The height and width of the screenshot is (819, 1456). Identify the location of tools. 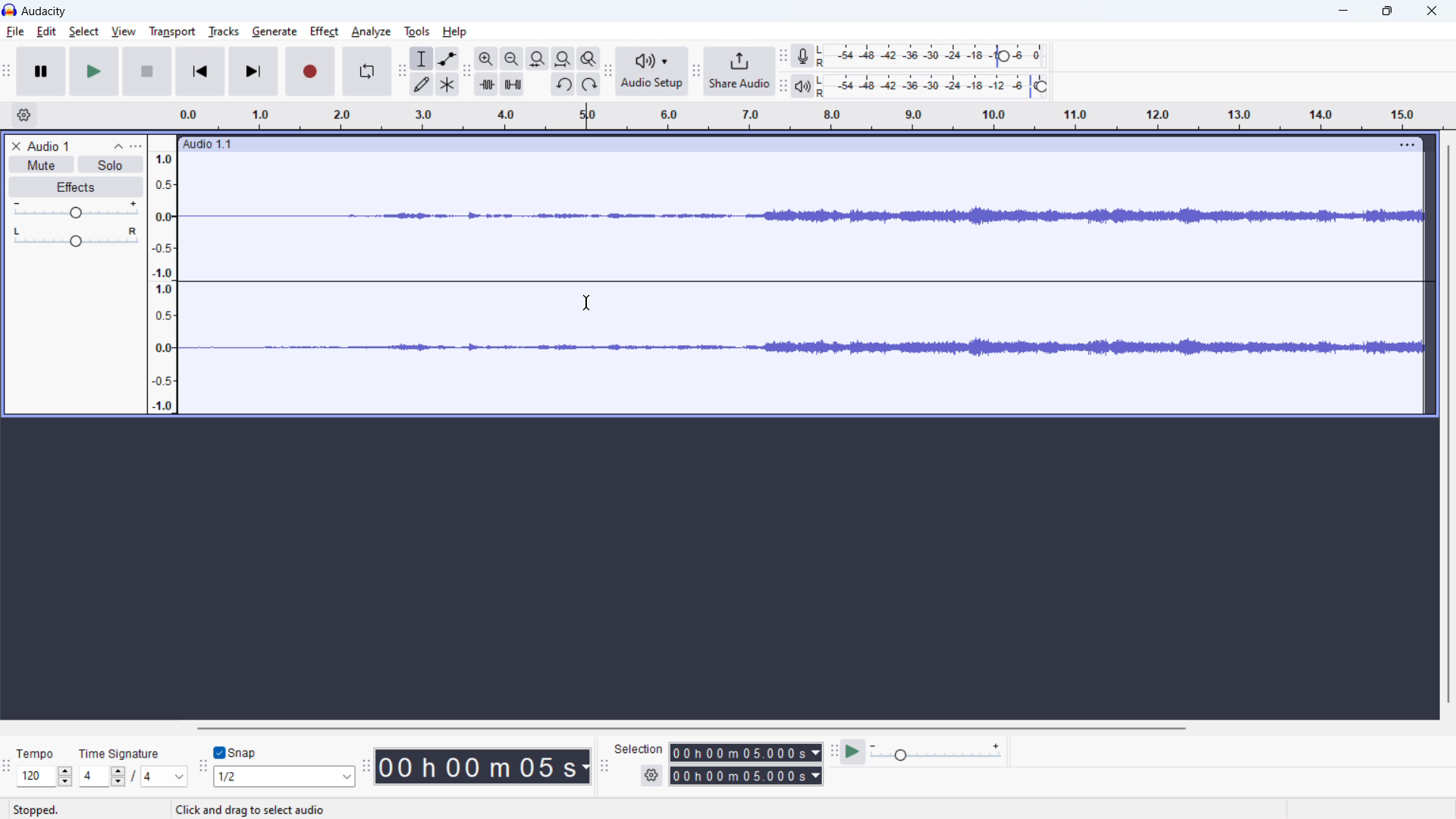
(416, 32).